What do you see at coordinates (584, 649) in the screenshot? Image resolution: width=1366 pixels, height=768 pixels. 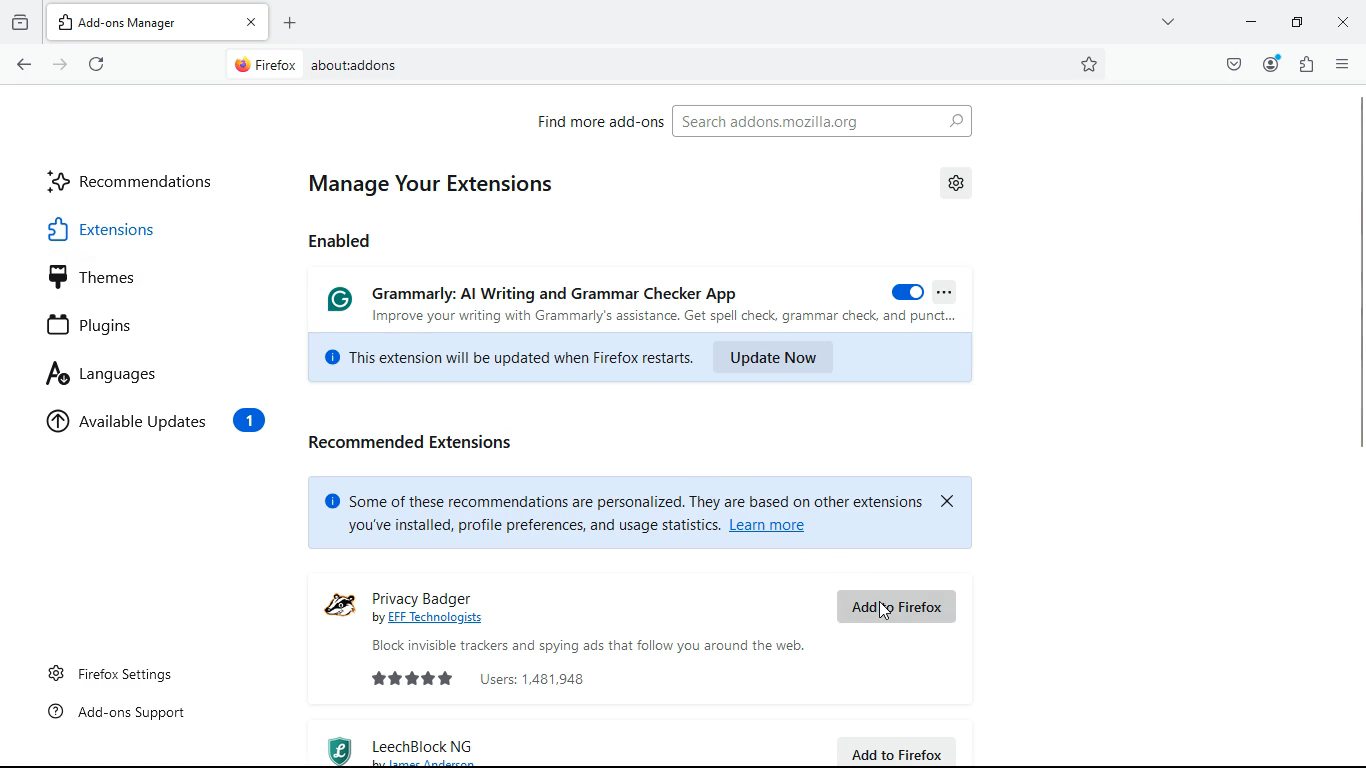 I see `Block invisible trackers and spying ads that follow you around the web.` at bounding box center [584, 649].